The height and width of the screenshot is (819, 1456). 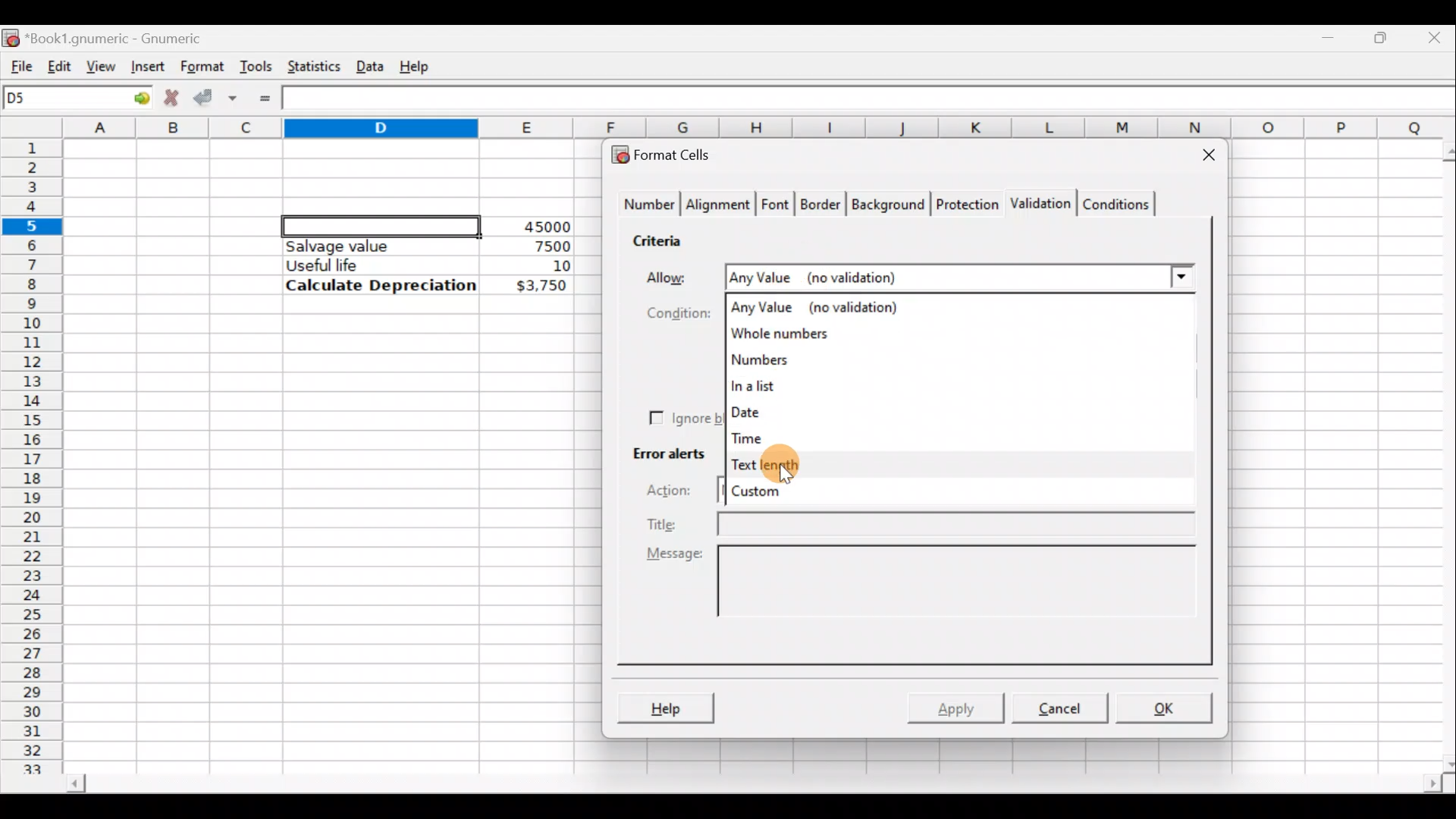 What do you see at coordinates (925, 598) in the screenshot?
I see `Message` at bounding box center [925, 598].